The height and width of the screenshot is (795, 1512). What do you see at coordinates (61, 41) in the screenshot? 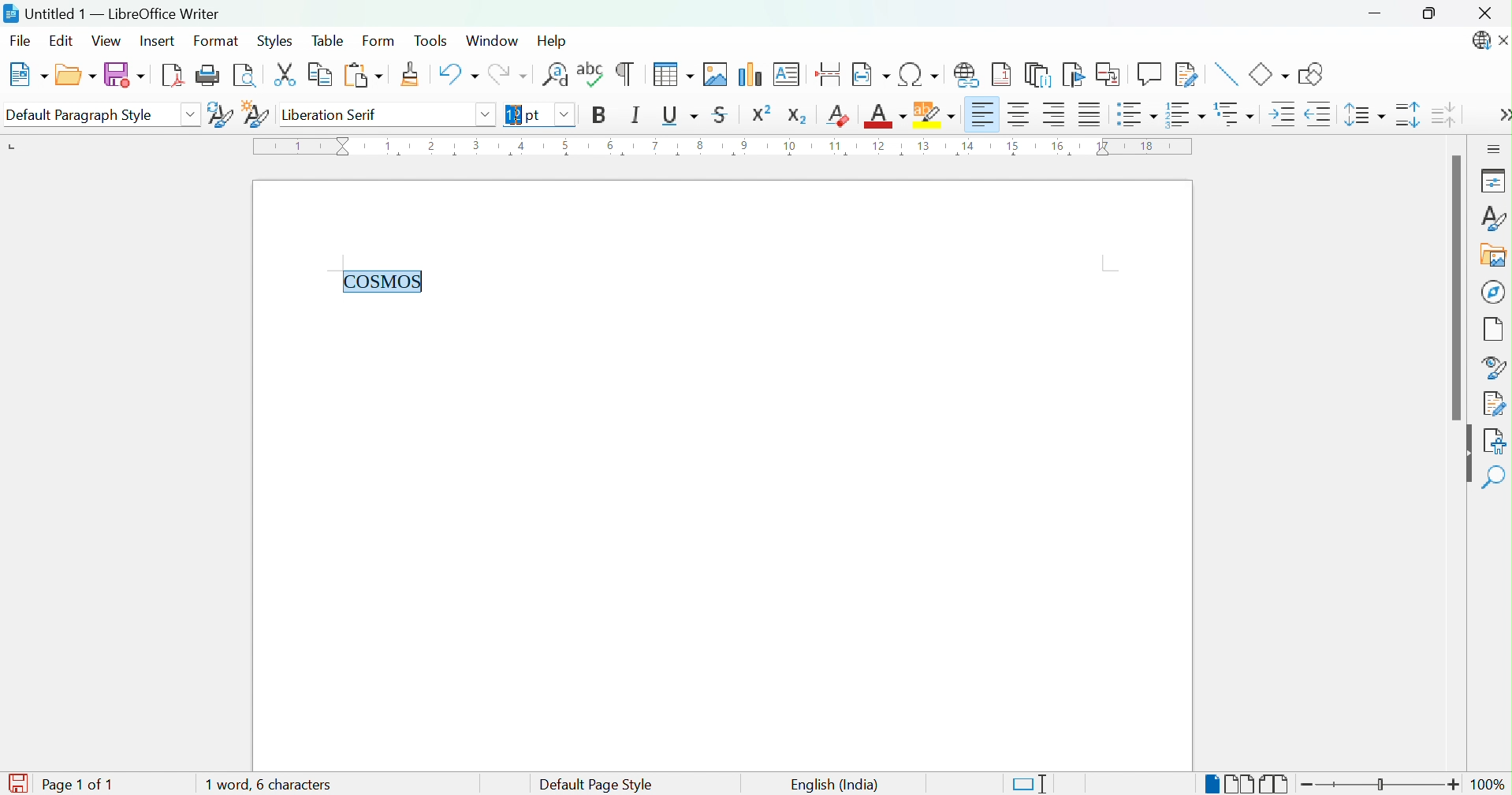
I see `Edit` at bounding box center [61, 41].